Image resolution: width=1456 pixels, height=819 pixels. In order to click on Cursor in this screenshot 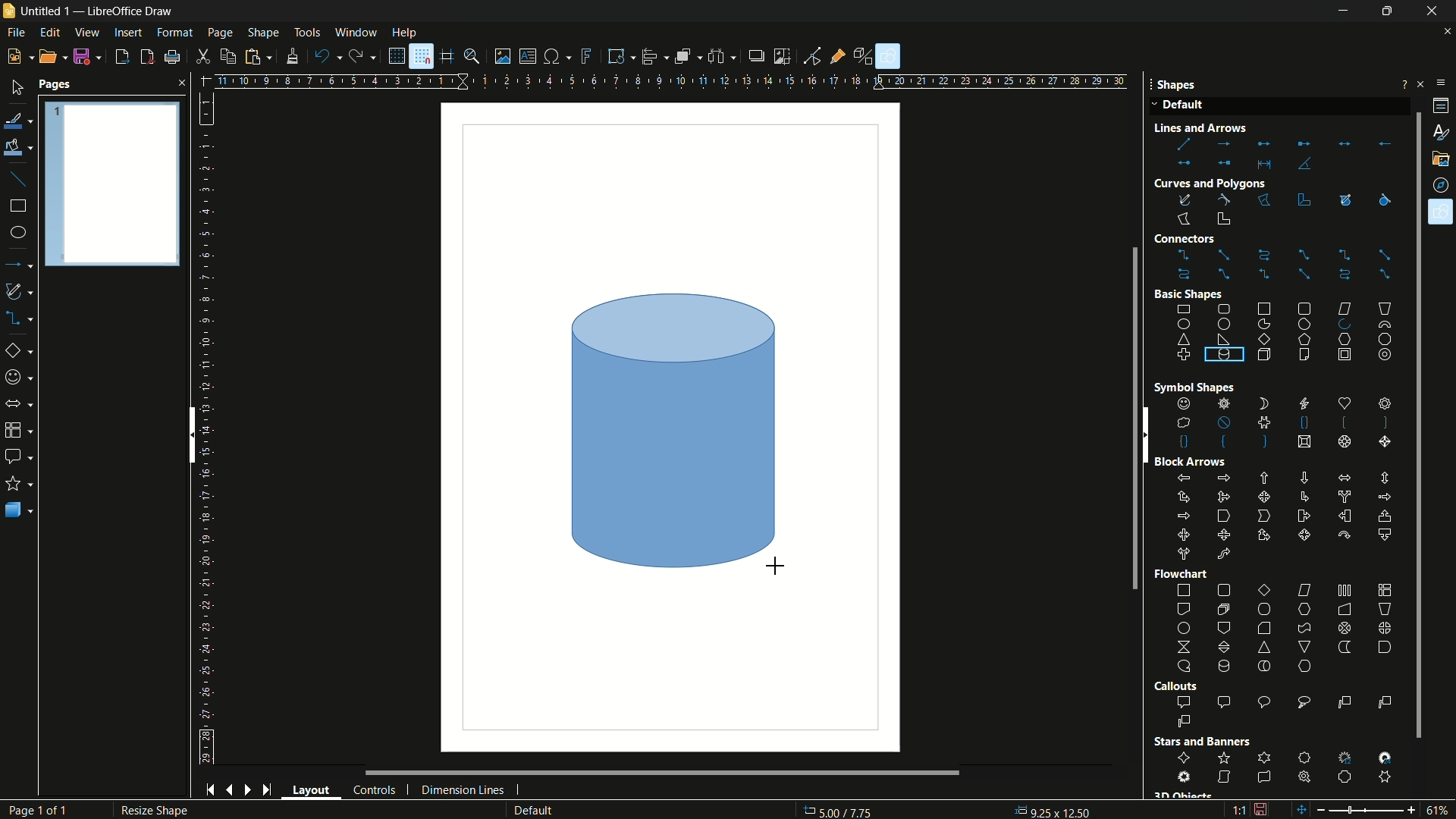, I will do `click(1442, 219)`.